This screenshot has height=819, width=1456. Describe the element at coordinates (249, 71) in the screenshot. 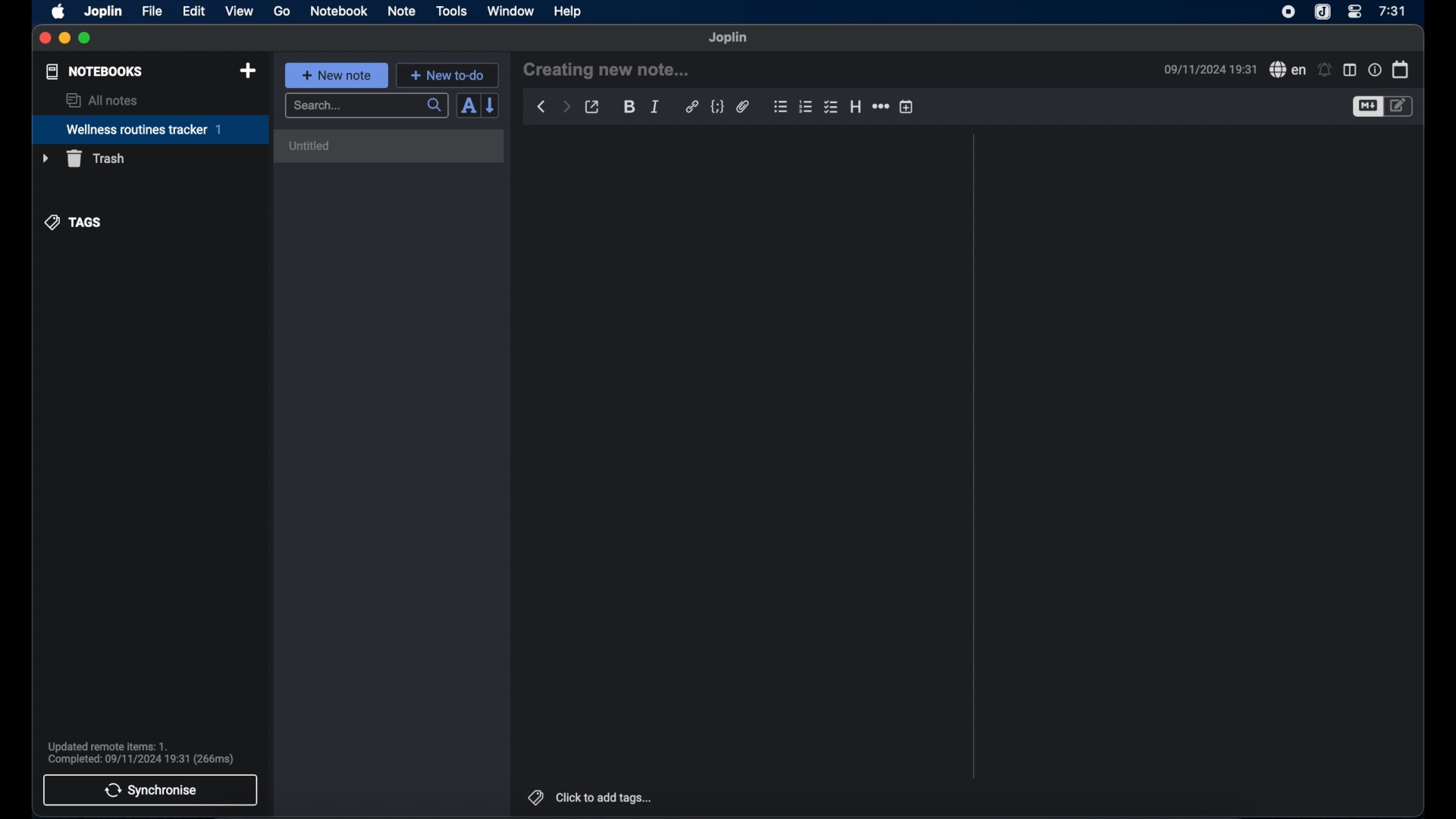

I see `new notebook` at that location.